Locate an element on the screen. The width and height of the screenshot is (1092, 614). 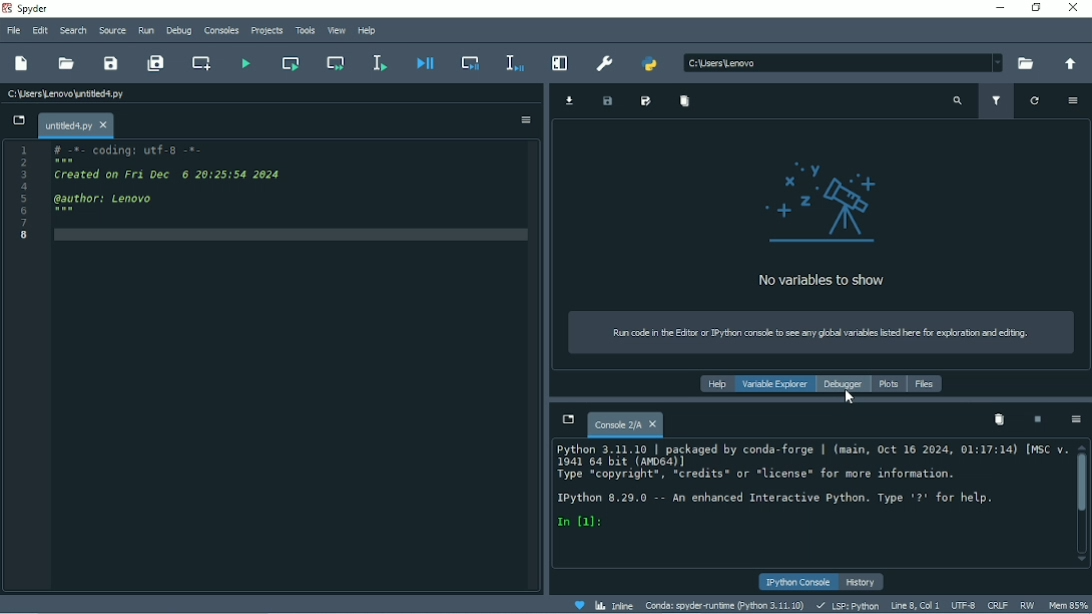
Preferences is located at coordinates (605, 62).